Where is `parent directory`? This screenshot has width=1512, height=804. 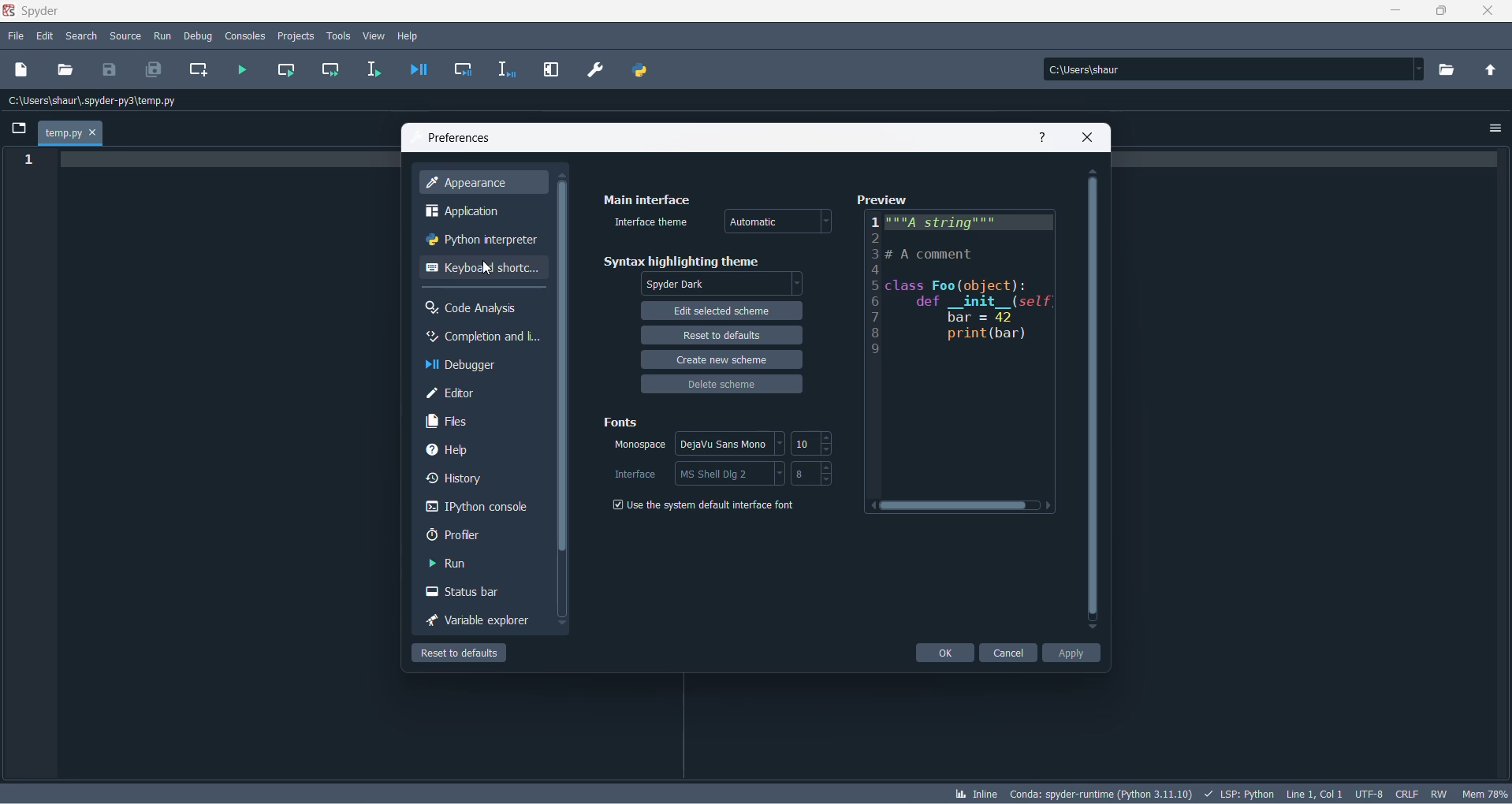
parent directory is located at coordinates (1495, 72).